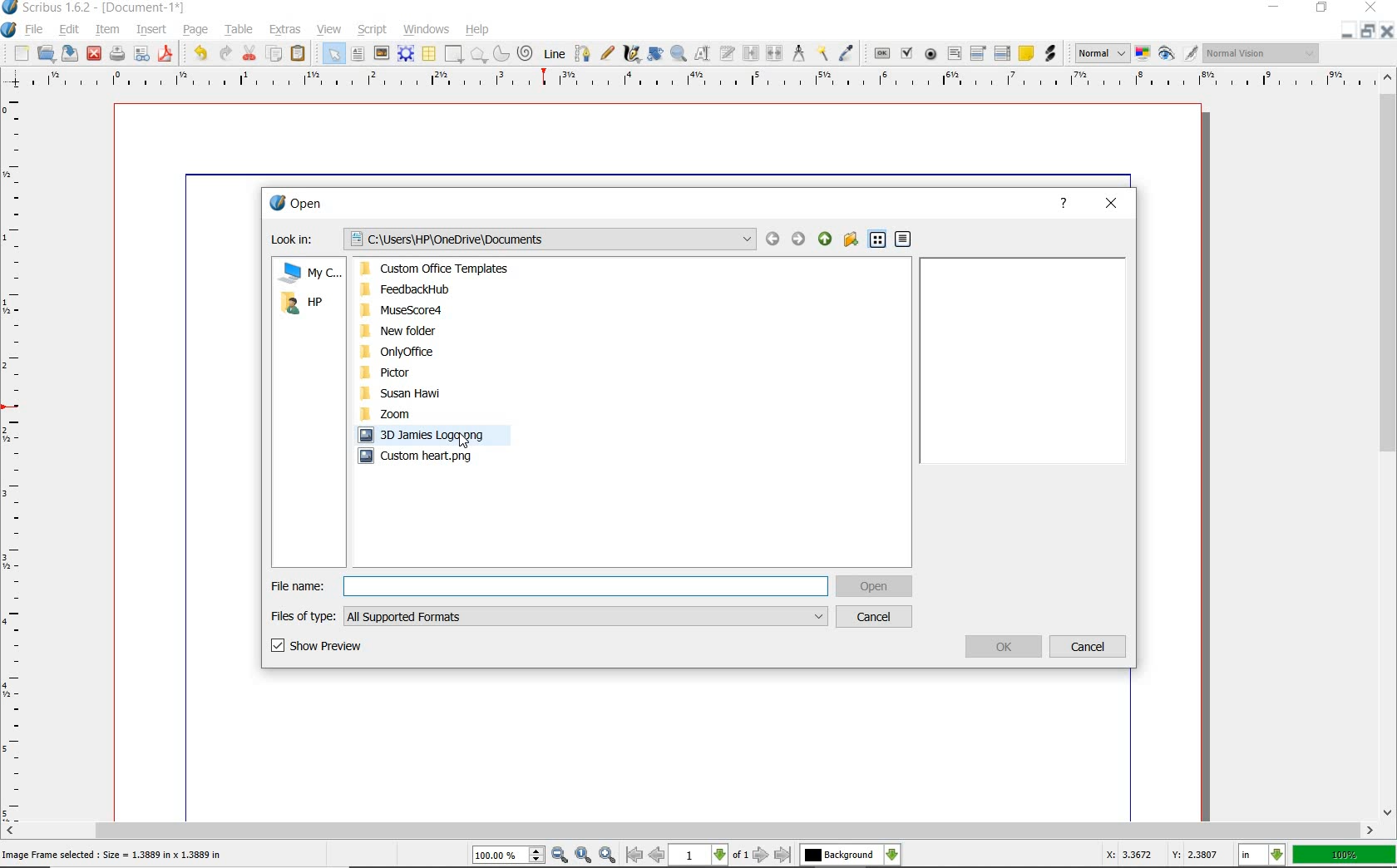  I want to click on paste, so click(299, 53).